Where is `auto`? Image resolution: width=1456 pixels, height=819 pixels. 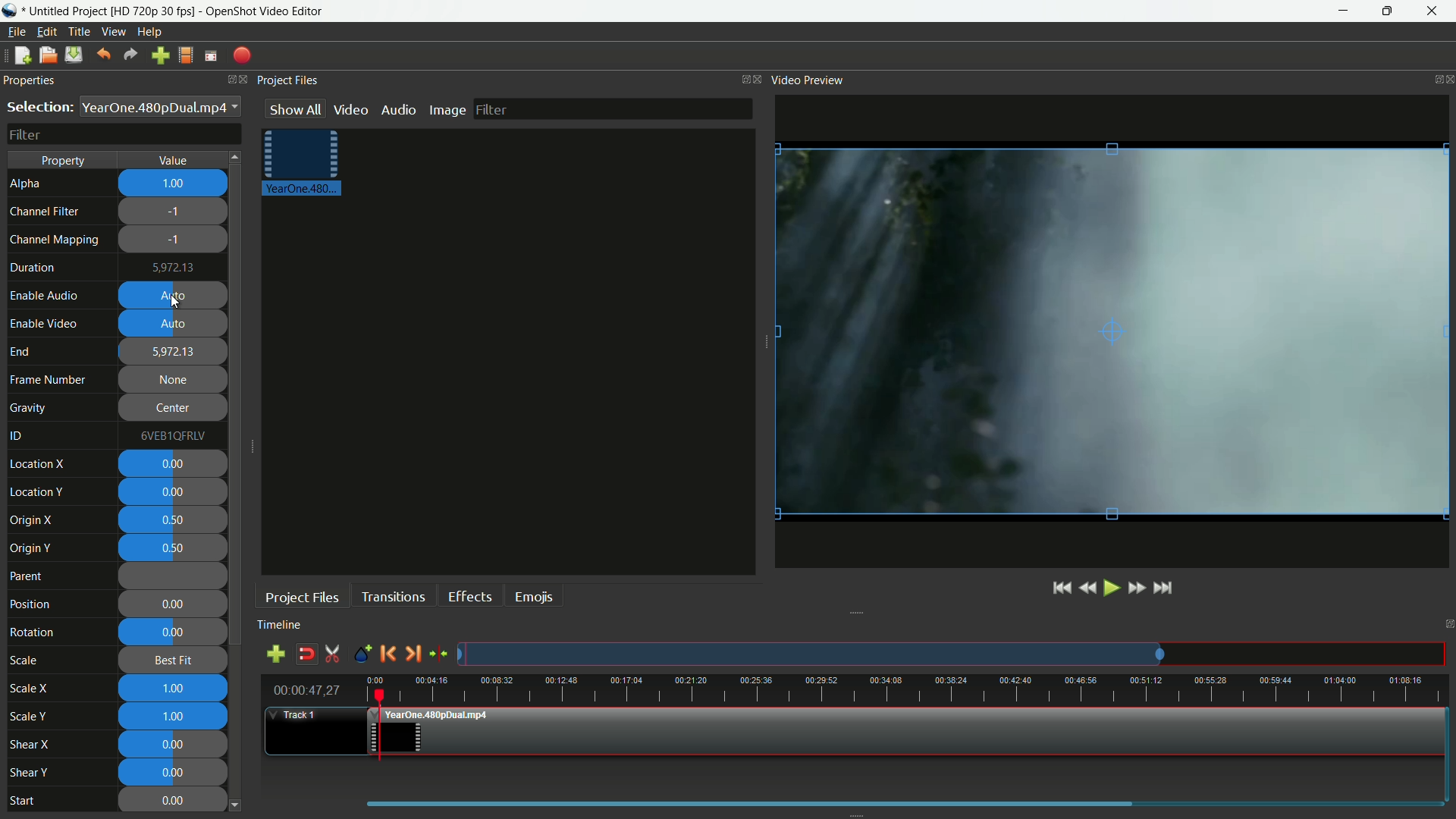
auto is located at coordinates (175, 323).